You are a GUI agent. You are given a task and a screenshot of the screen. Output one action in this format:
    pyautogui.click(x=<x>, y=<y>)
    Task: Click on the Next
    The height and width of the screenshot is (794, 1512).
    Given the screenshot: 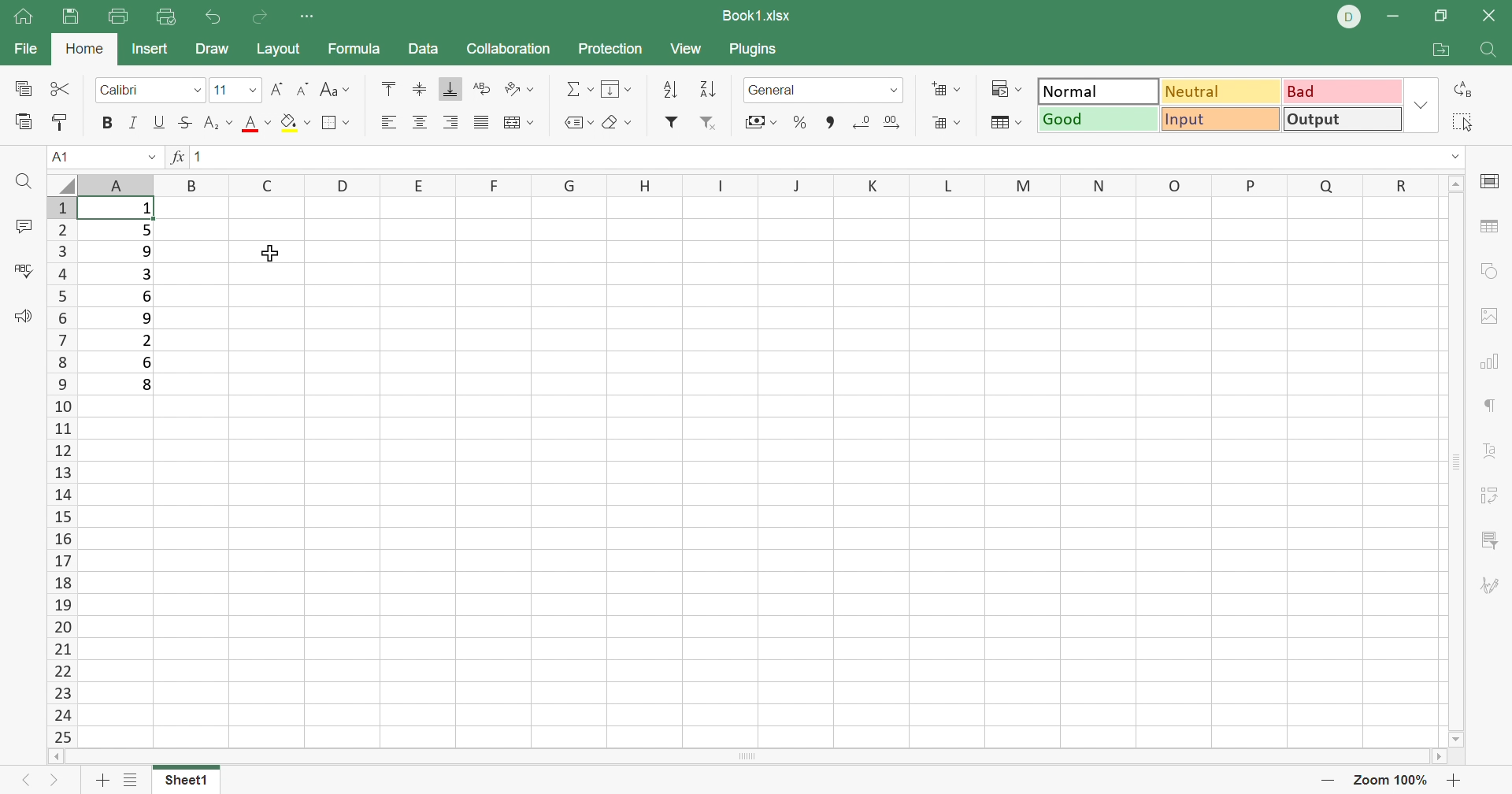 What is the action you would take?
    pyautogui.click(x=54, y=783)
    